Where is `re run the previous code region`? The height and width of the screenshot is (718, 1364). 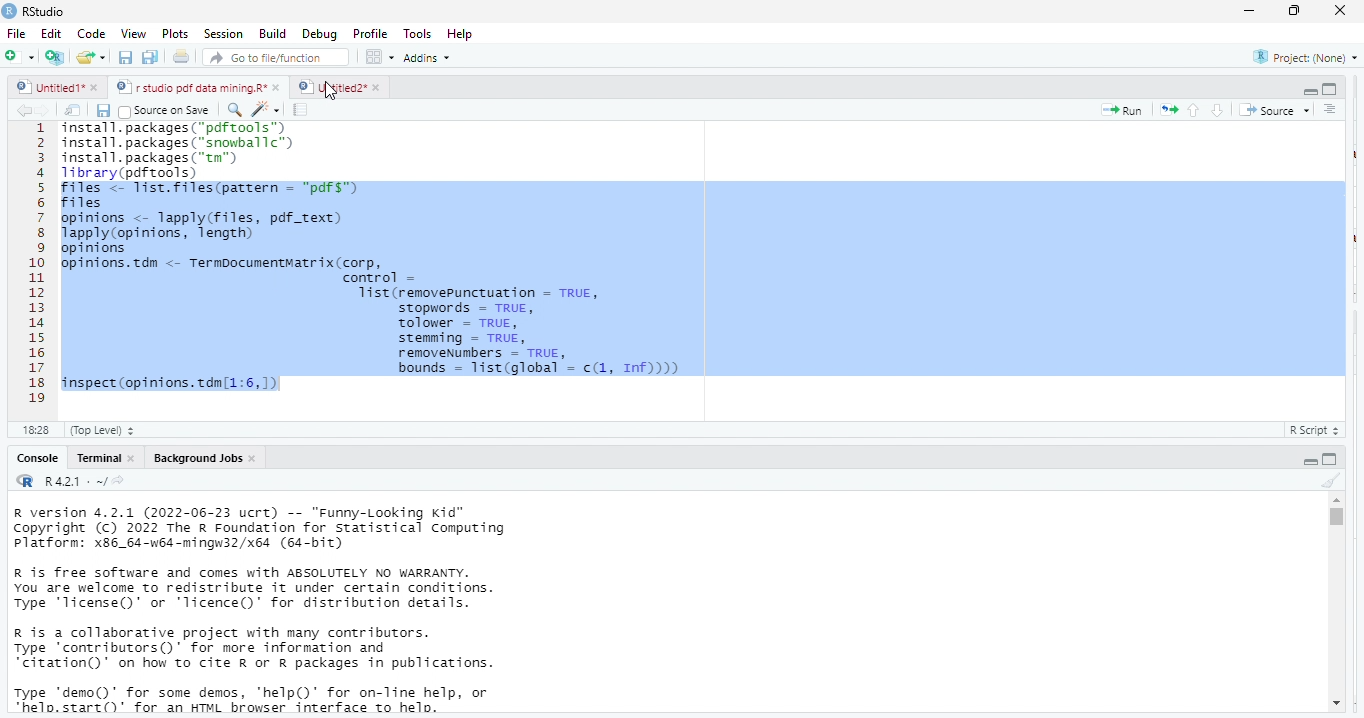
re run the previous code region is located at coordinates (1165, 109).